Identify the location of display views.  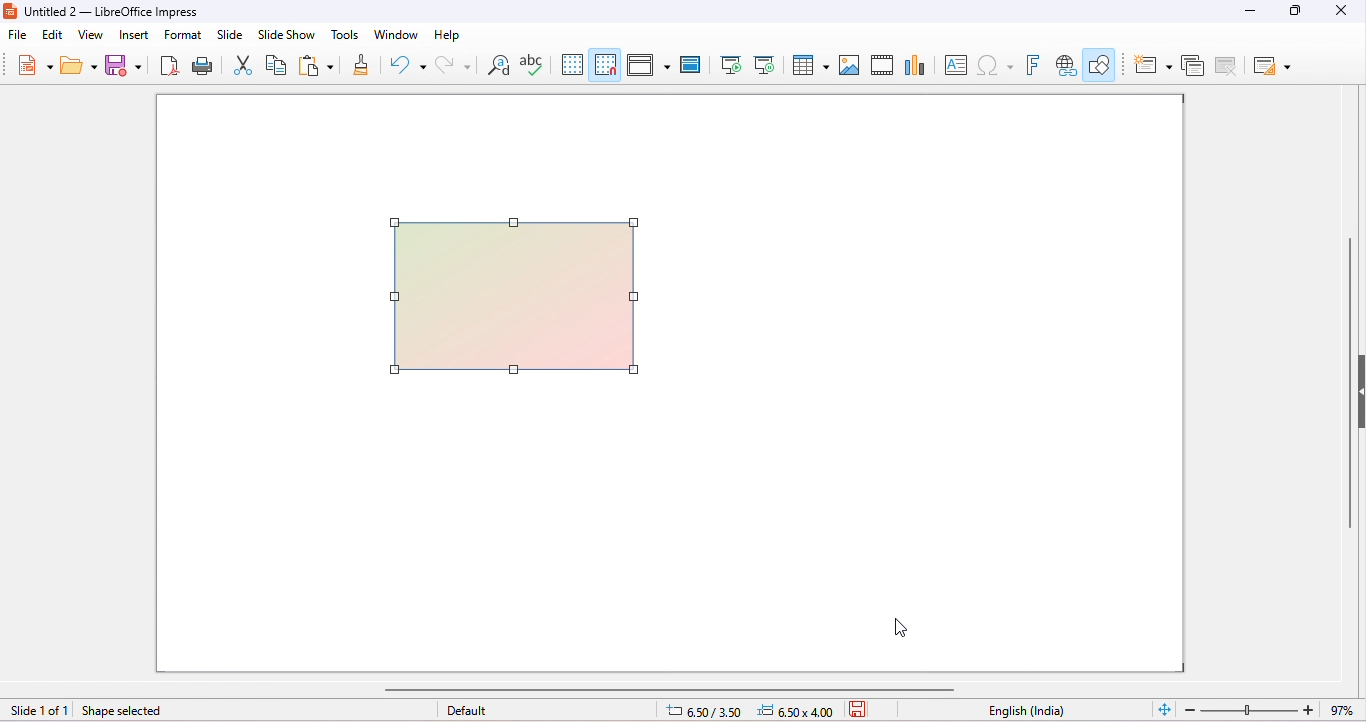
(650, 64).